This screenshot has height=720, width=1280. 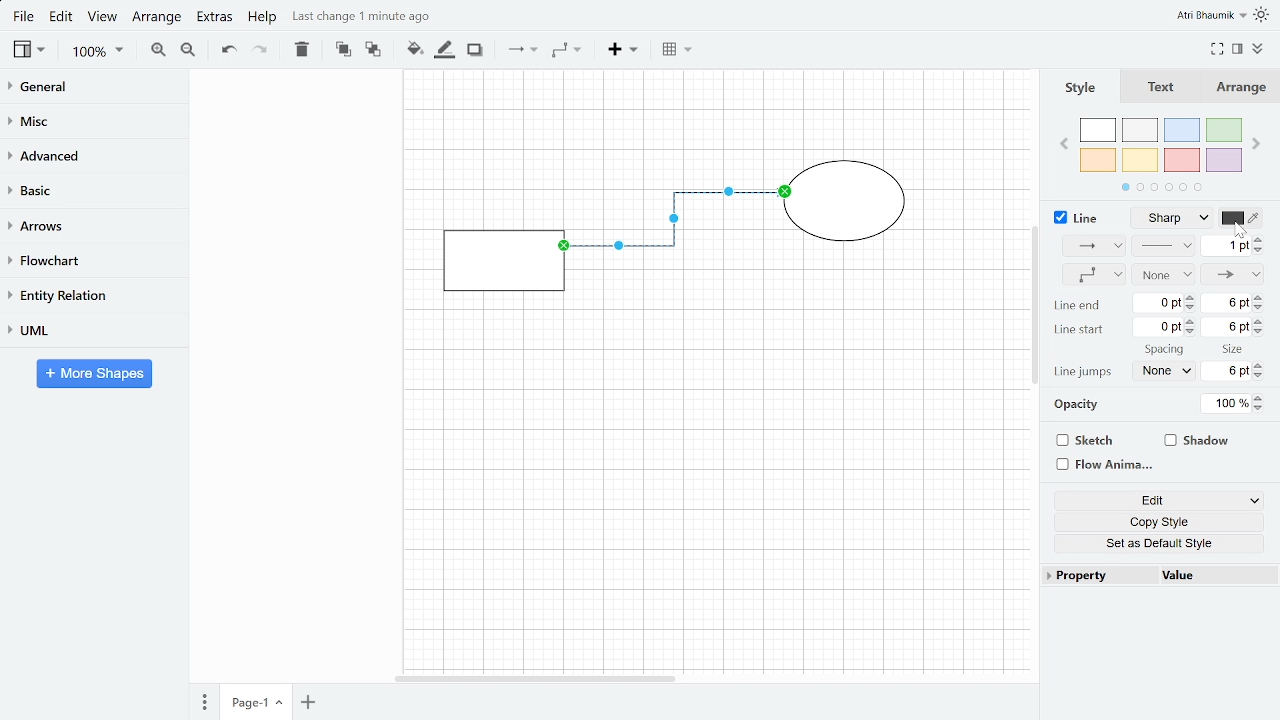 I want to click on Connection, so click(x=523, y=50).